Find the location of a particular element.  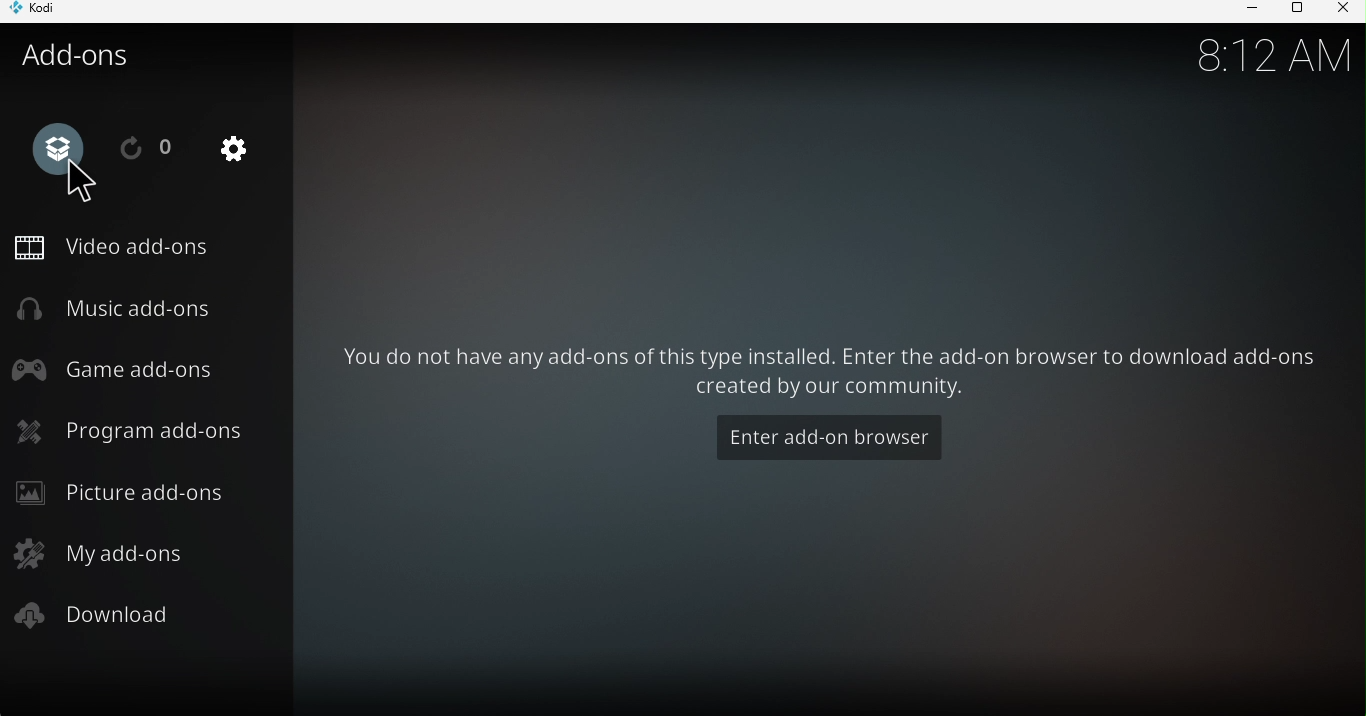

Music add-ons is located at coordinates (126, 308).